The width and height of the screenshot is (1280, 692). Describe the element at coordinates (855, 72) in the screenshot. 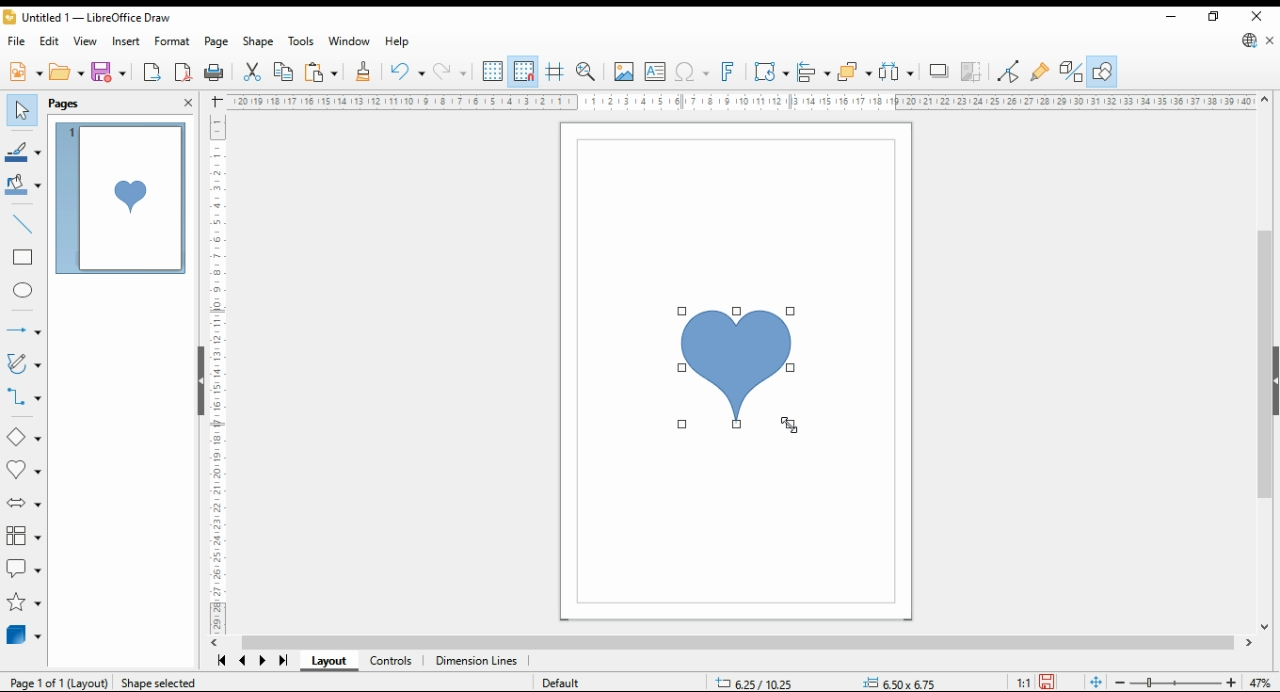

I see `arrange` at that location.